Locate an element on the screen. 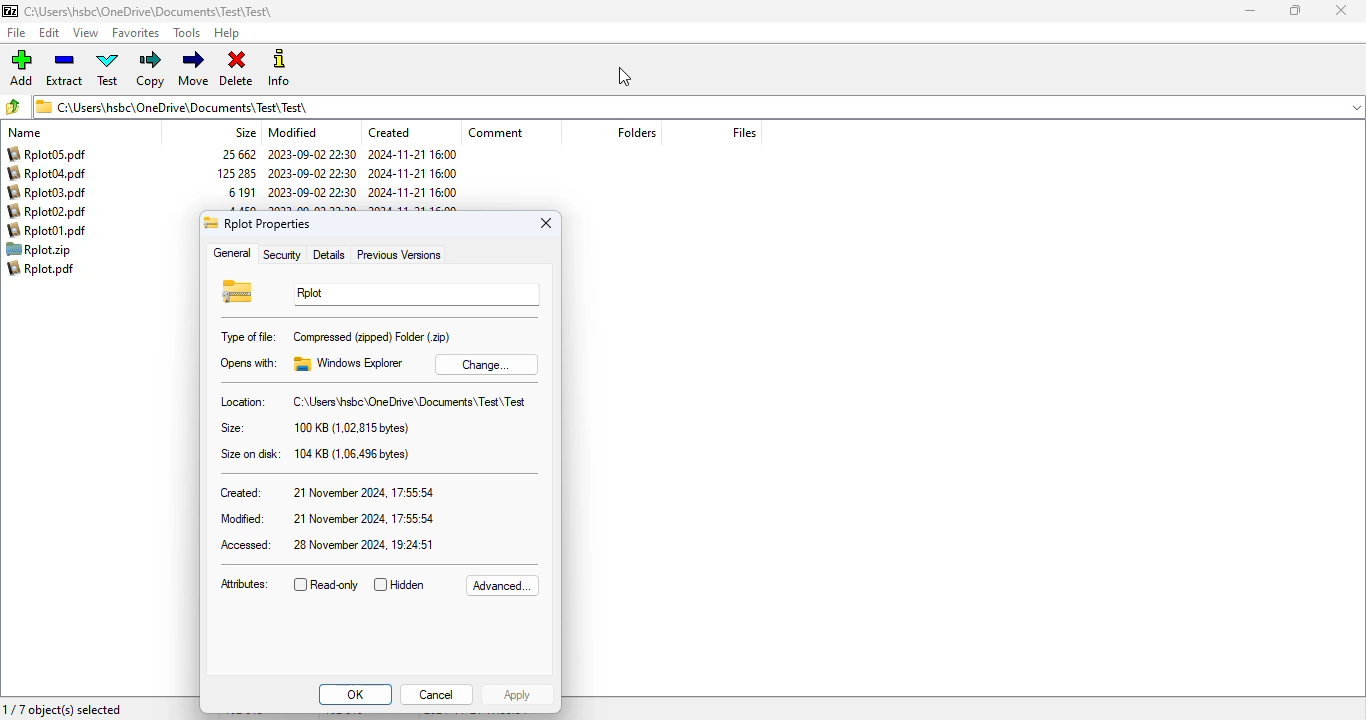 Image resolution: width=1366 pixels, height=720 pixels. file is located at coordinates (41, 250).